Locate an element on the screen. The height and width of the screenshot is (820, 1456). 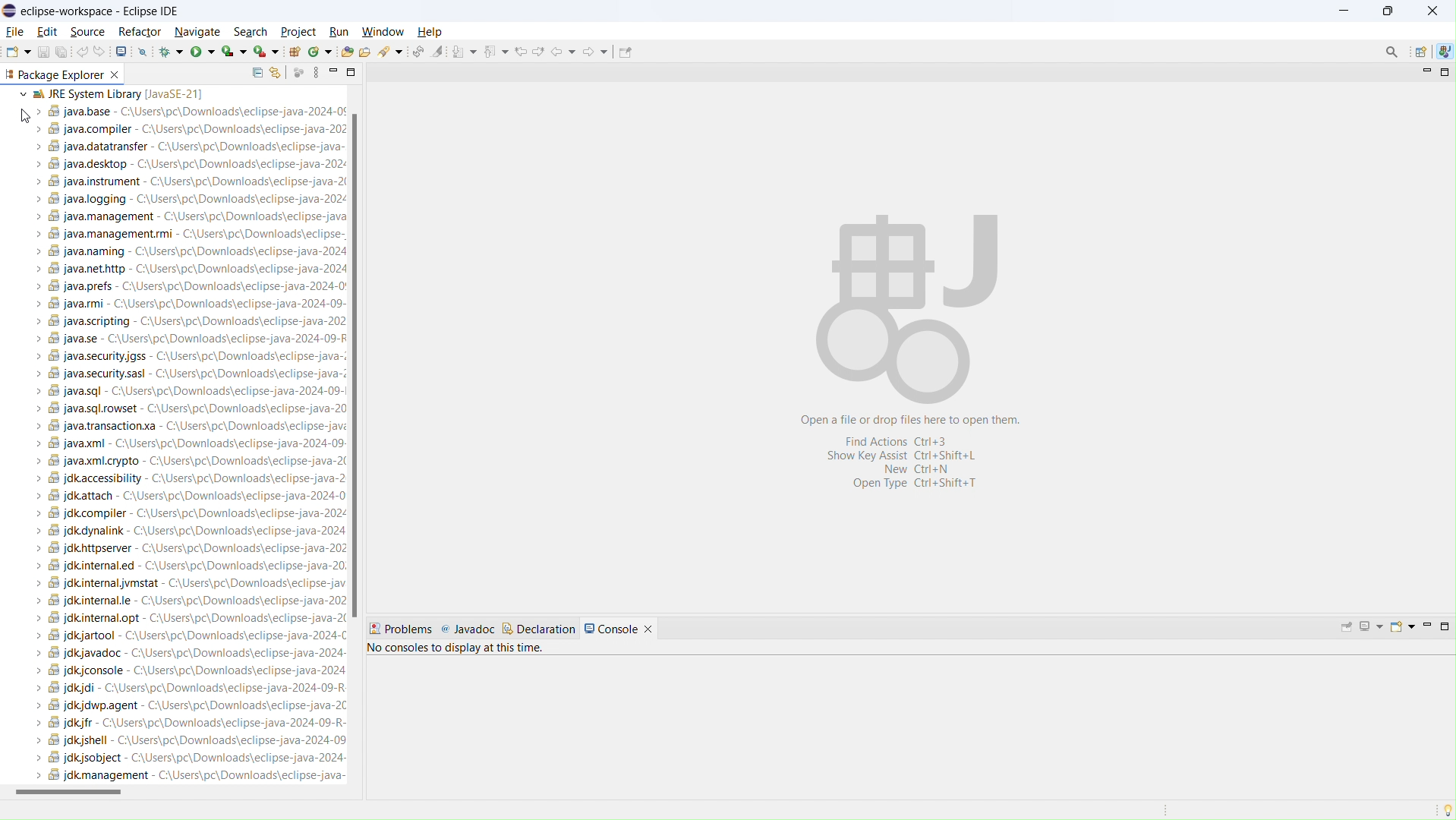
vertical scroll bar is located at coordinates (361, 369).